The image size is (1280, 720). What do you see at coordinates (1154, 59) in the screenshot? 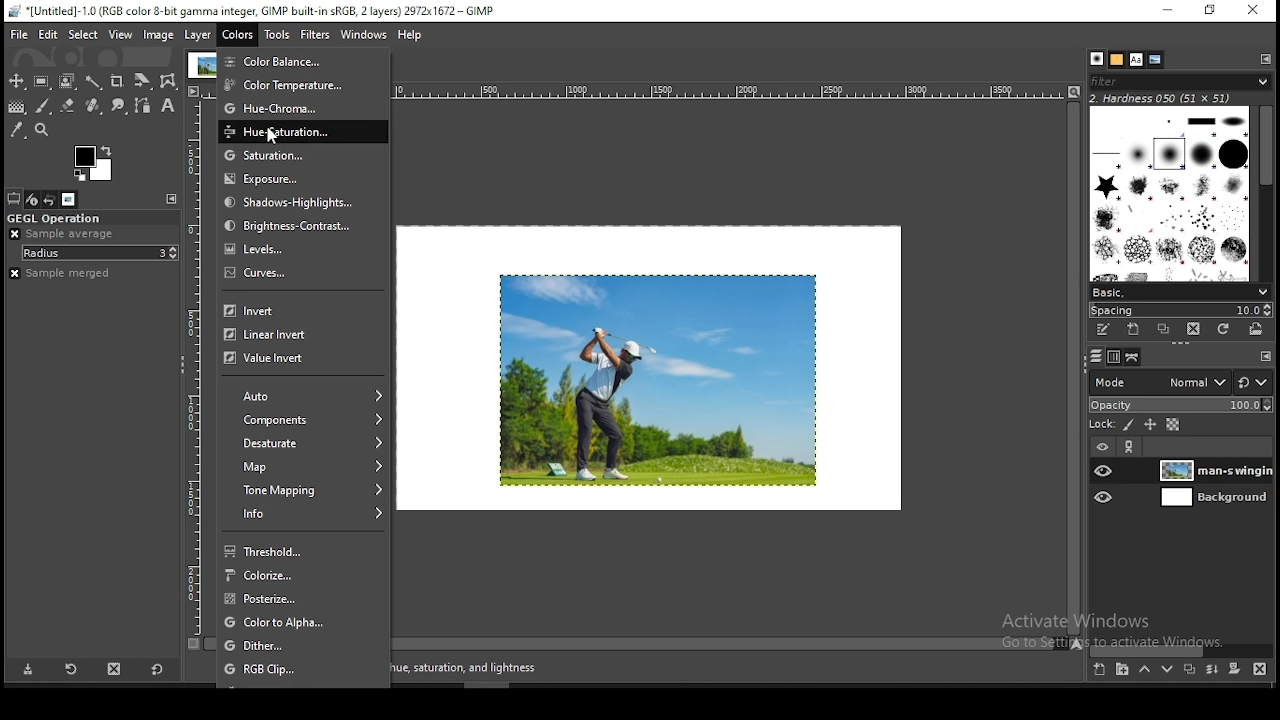
I see `document history` at bounding box center [1154, 59].